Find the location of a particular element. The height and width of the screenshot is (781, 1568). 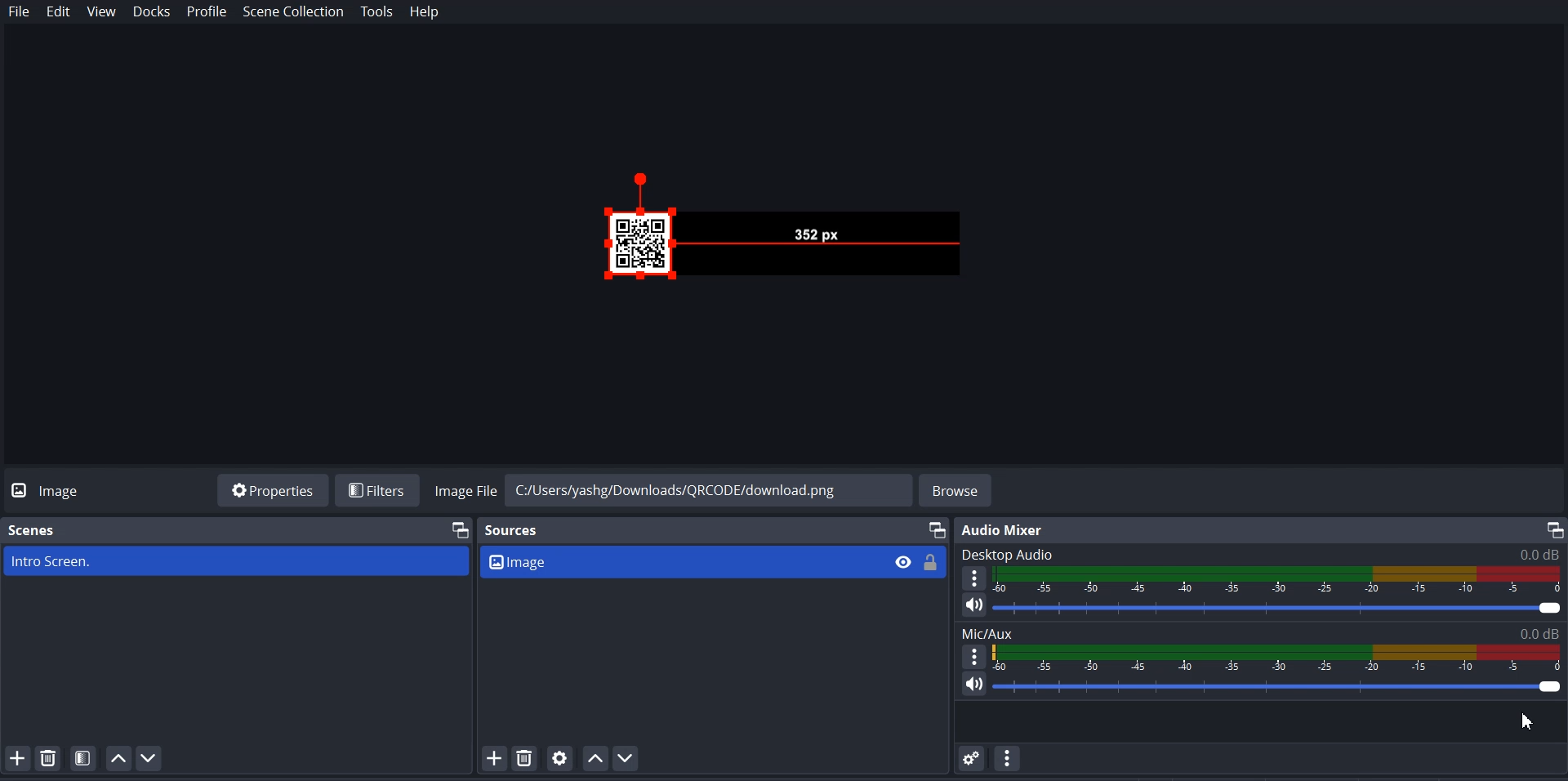

Mute is located at coordinates (975, 683).